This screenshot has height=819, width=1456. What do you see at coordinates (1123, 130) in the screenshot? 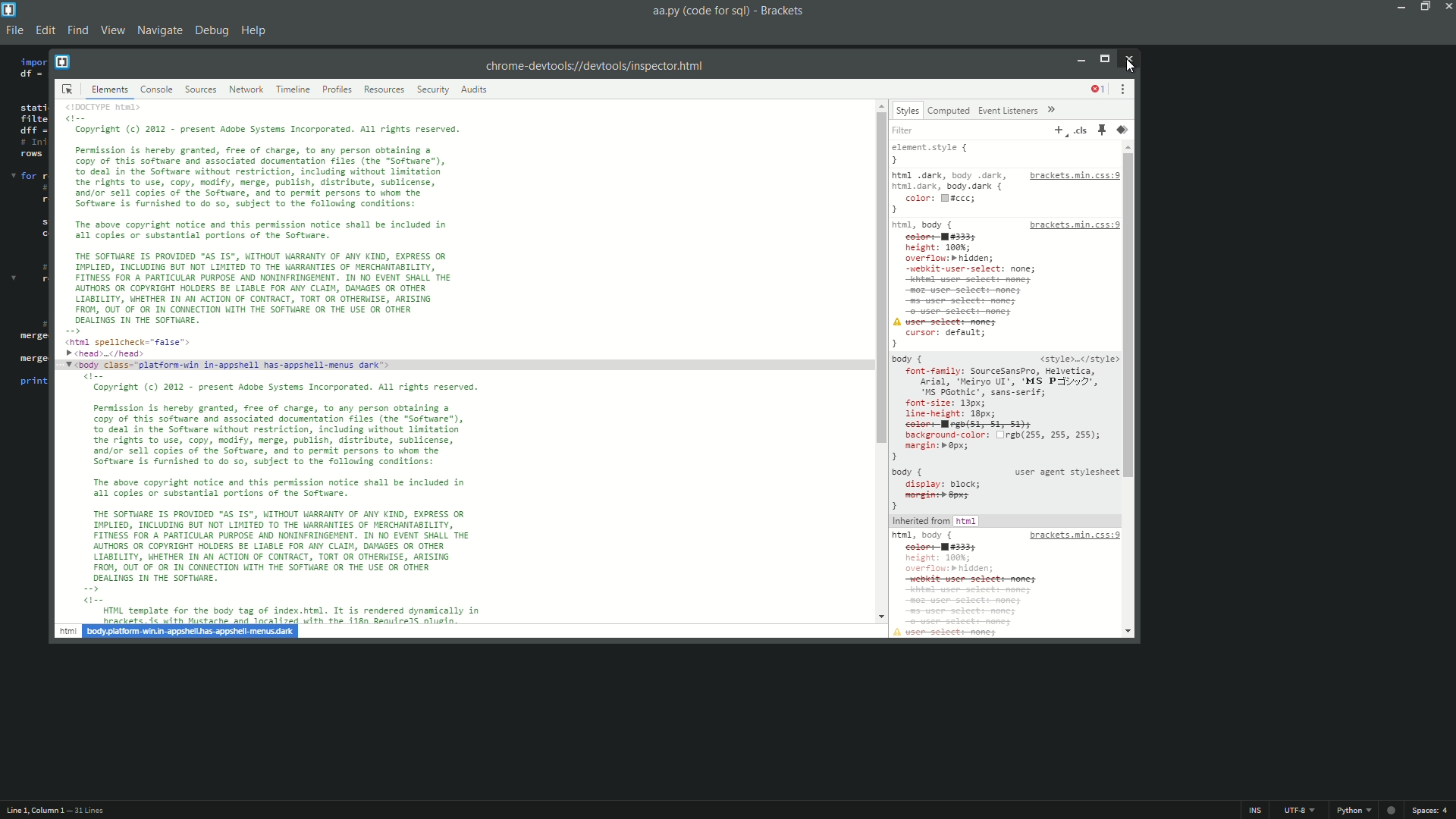
I see `animations` at bounding box center [1123, 130].